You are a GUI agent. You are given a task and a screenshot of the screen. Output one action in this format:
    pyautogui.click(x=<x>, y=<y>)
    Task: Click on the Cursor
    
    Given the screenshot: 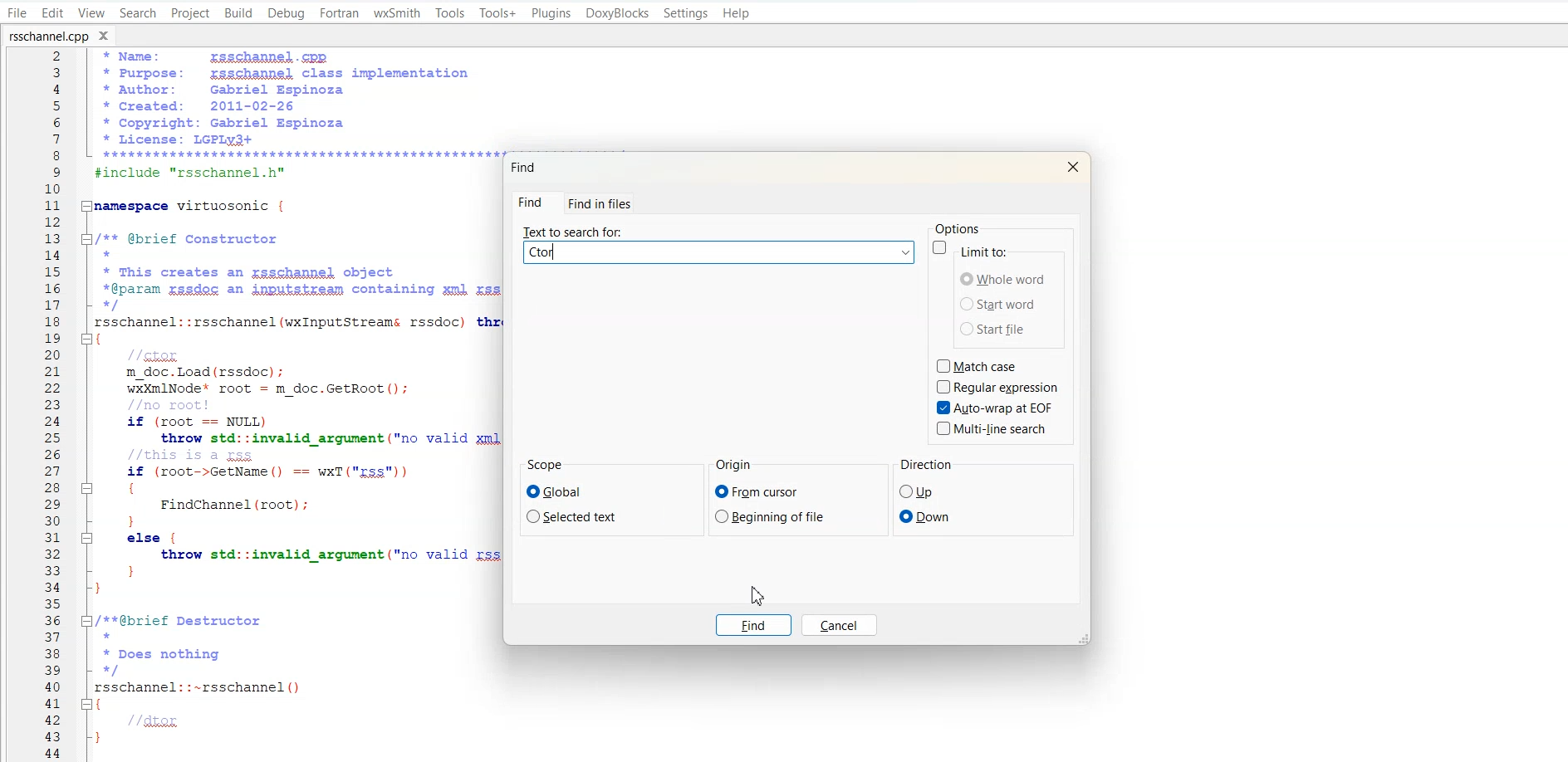 What is the action you would take?
    pyautogui.click(x=759, y=595)
    